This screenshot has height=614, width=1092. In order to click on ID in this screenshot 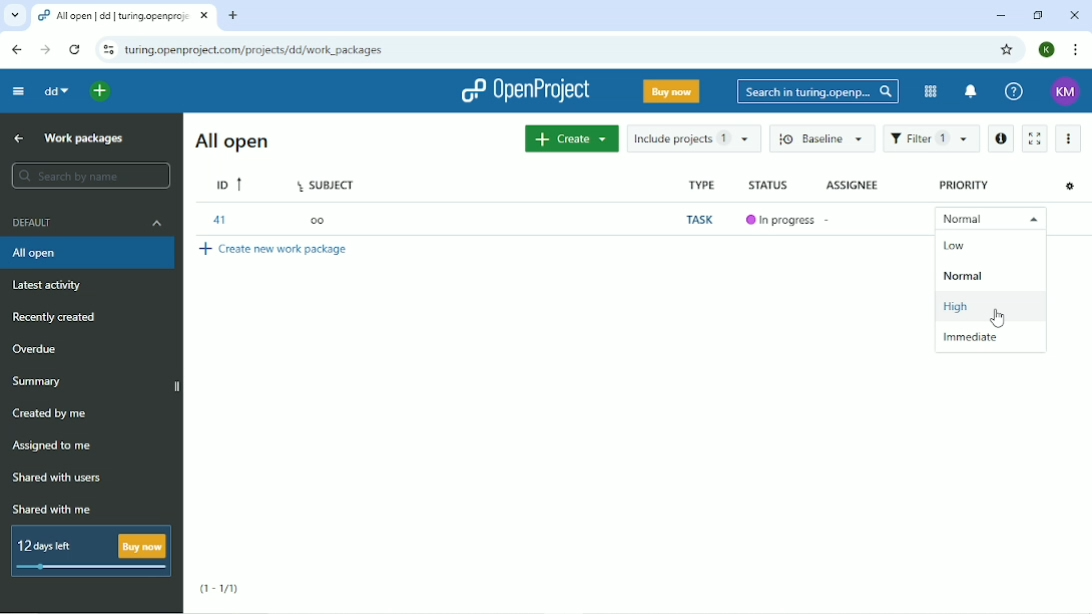, I will do `click(231, 183)`.